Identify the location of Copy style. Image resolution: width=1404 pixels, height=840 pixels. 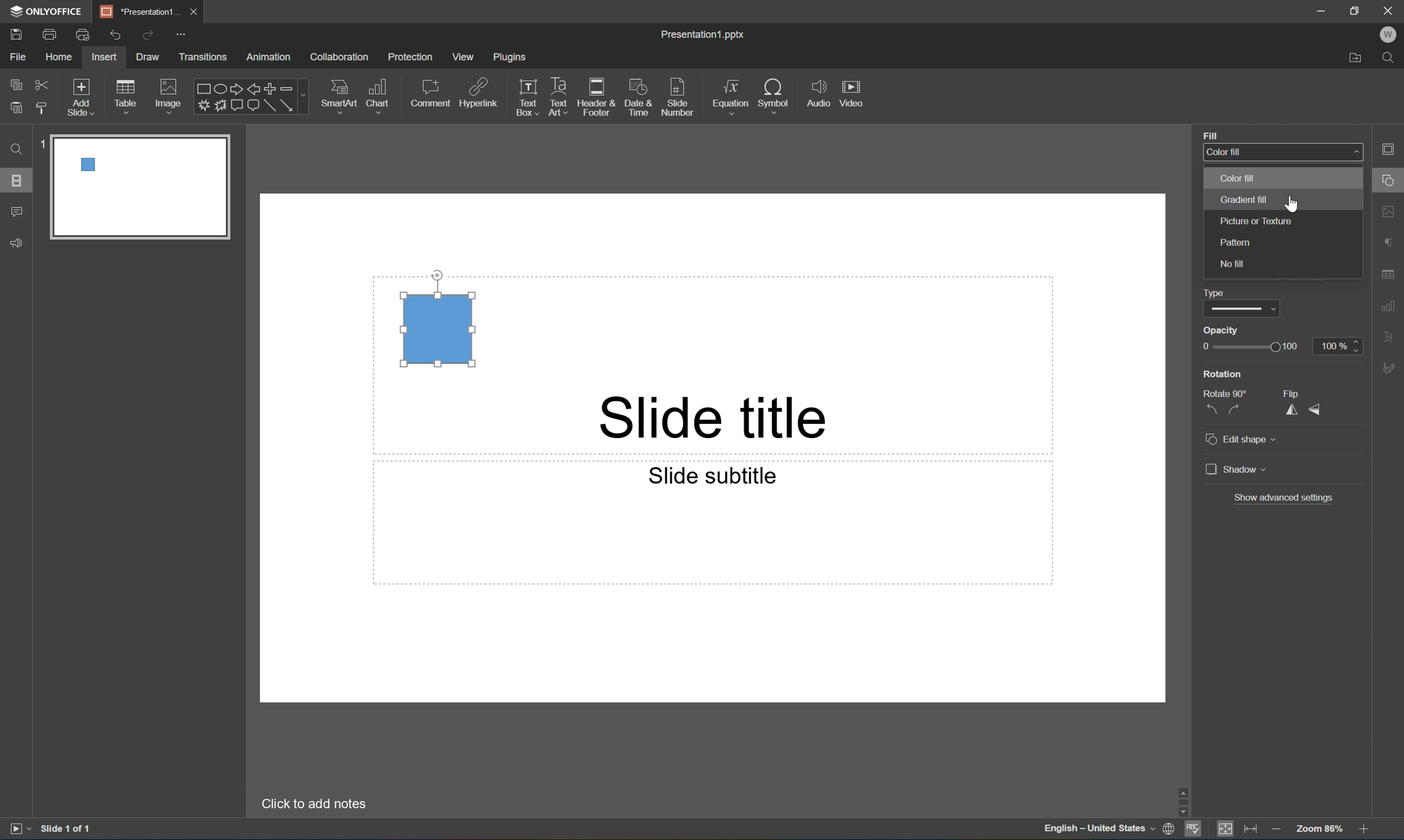
(43, 109).